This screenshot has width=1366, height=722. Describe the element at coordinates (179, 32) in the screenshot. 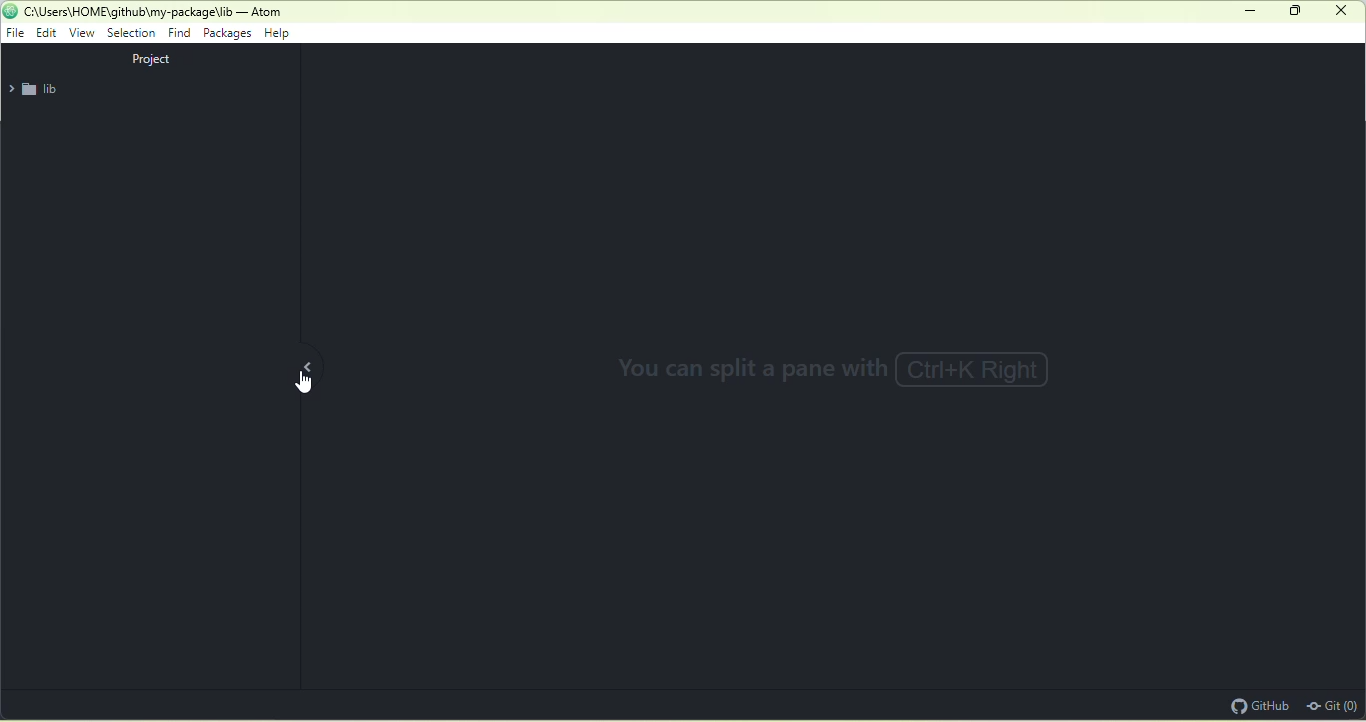

I see `find` at that location.